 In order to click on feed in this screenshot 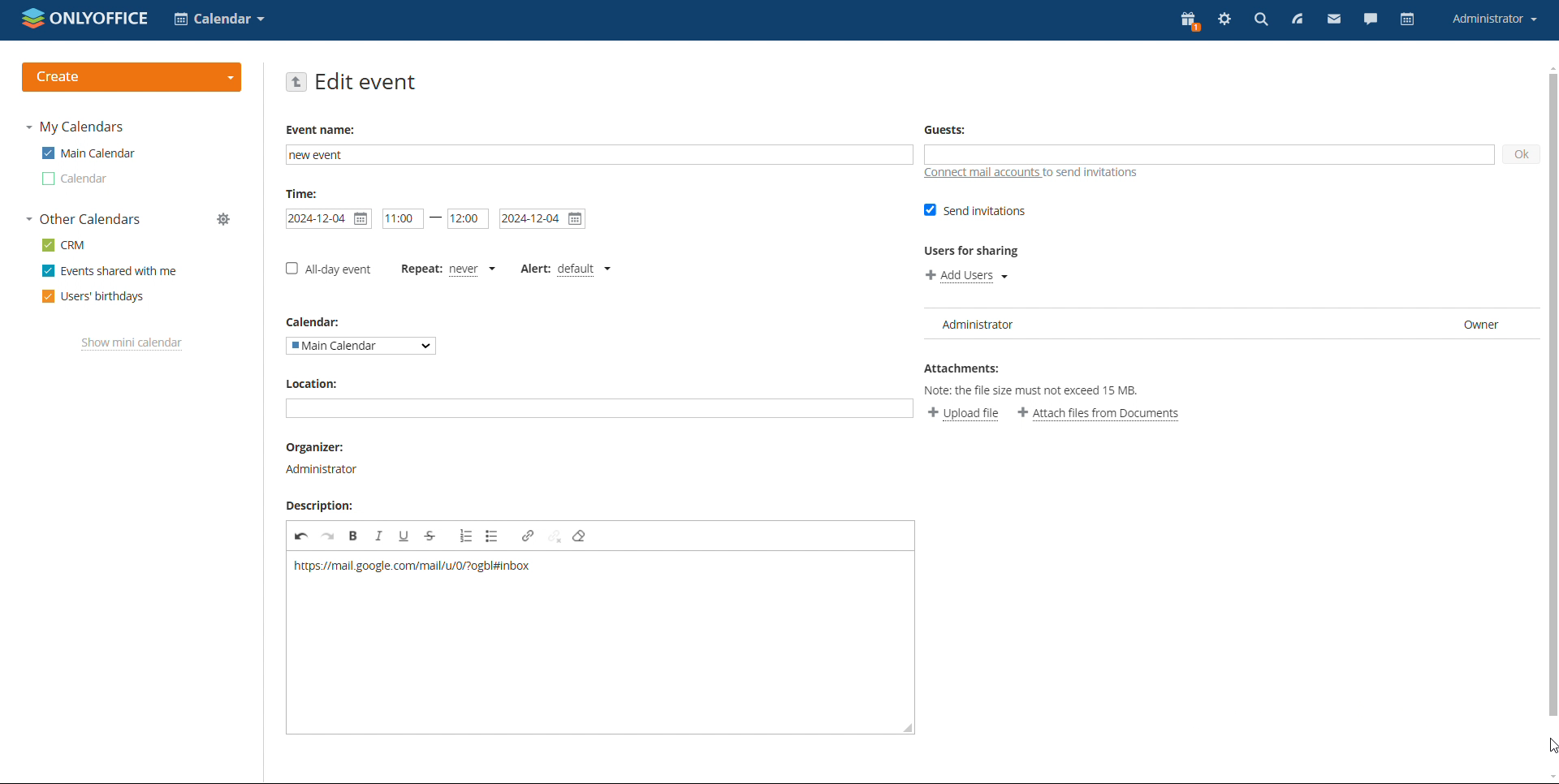, I will do `click(1298, 20)`.